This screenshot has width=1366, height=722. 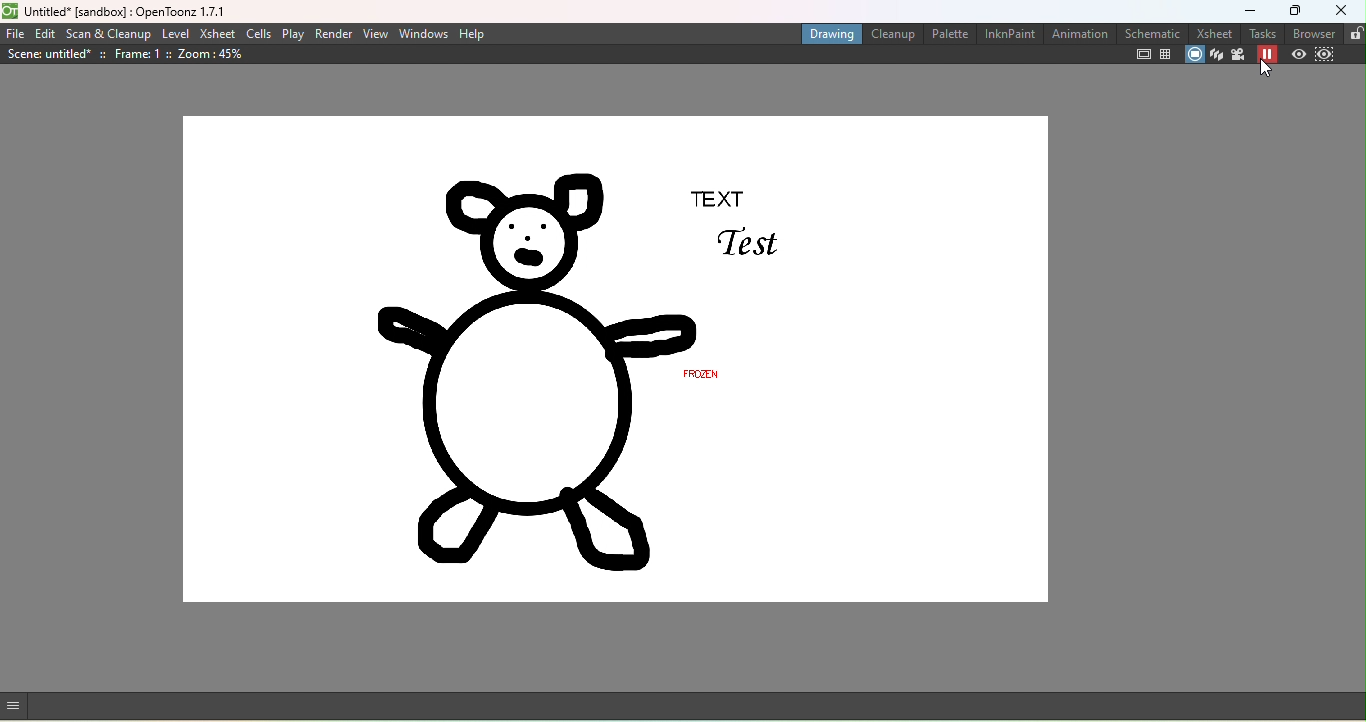 What do you see at coordinates (109, 34) in the screenshot?
I see `Scan & Cleanup` at bounding box center [109, 34].